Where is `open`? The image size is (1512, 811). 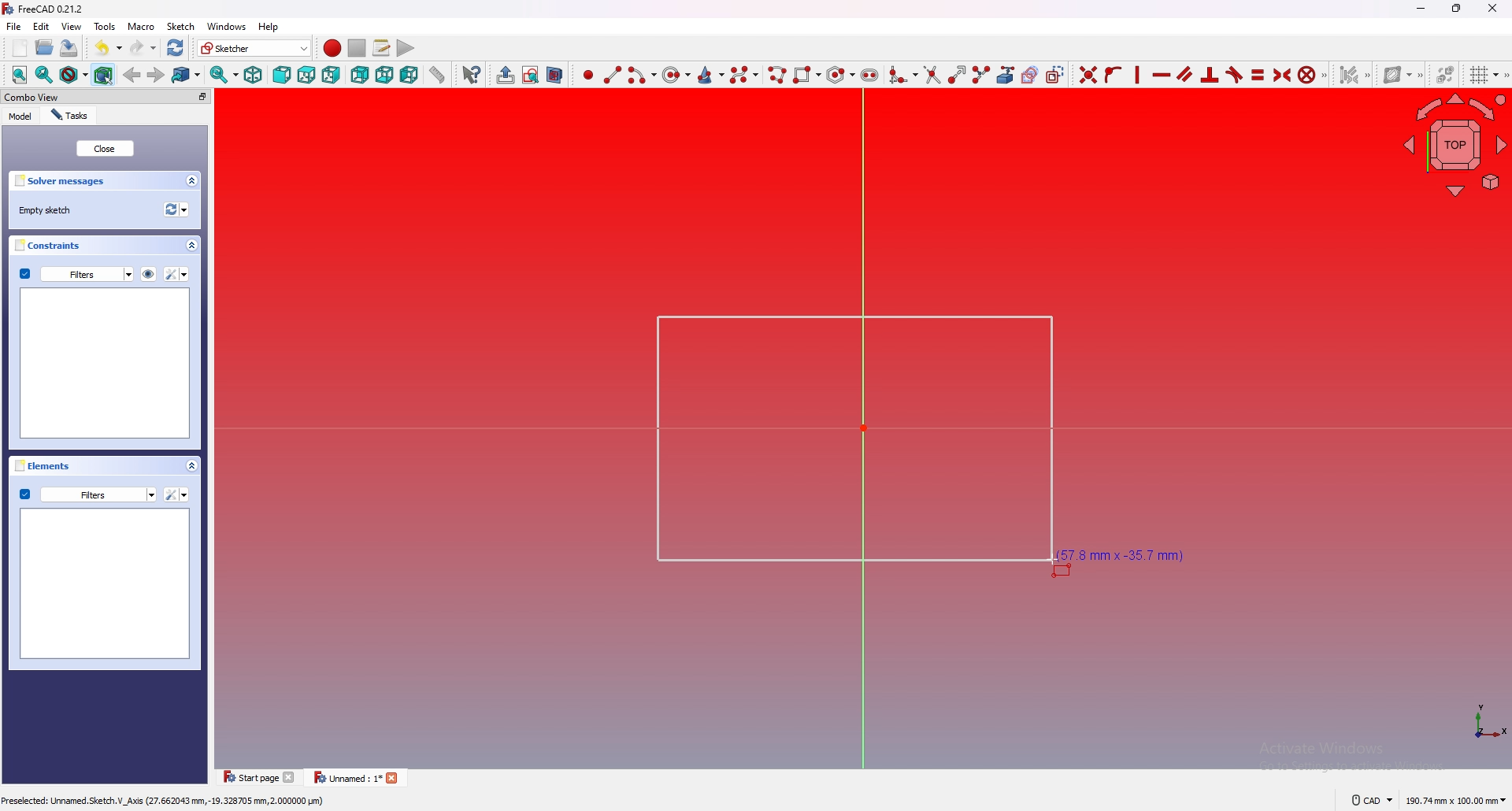
open is located at coordinates (45, 47).